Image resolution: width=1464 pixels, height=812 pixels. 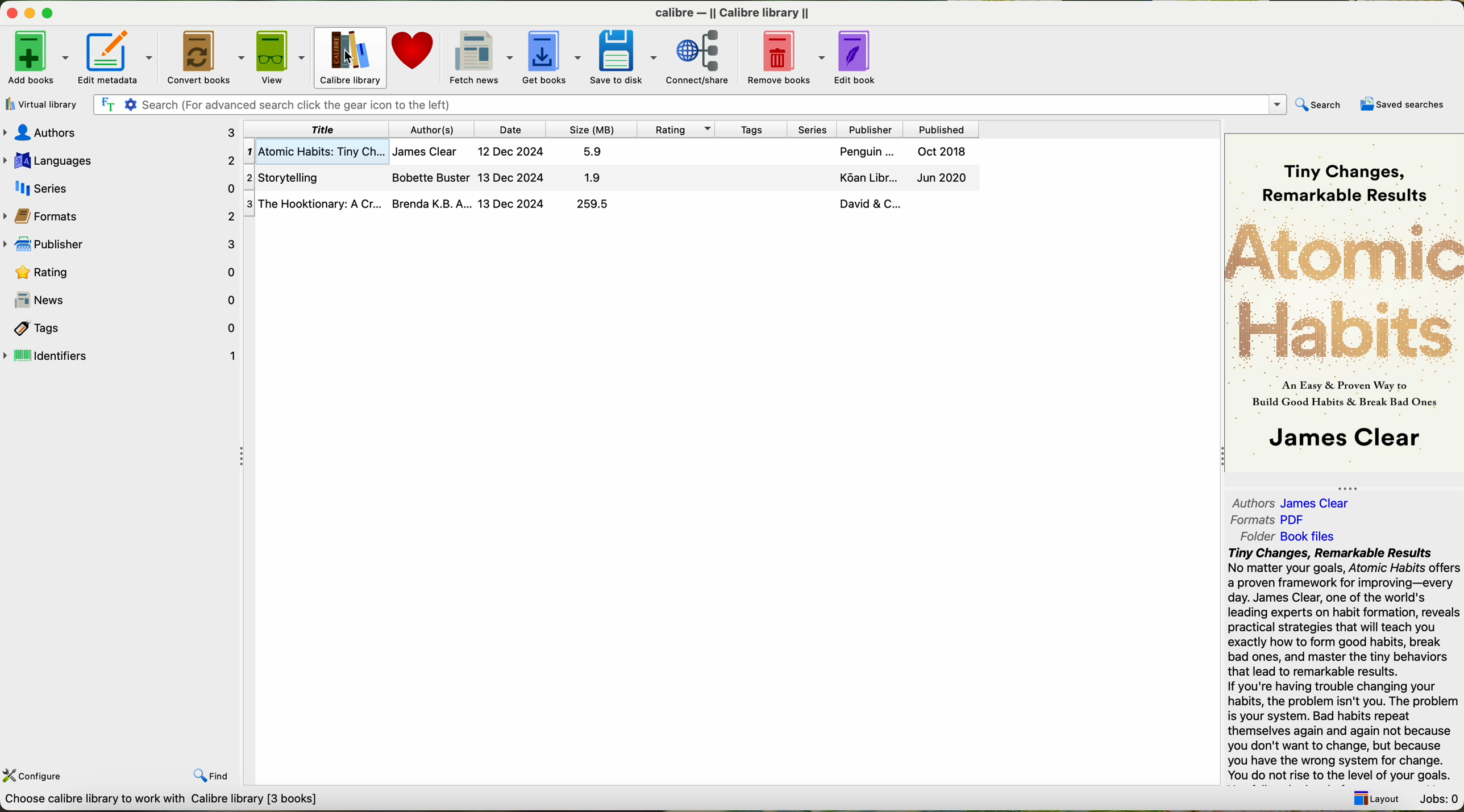 What do you see at coordinates (1338, 395) in the screenshot?
I see `As Easy & Proven Way toBuild Good Habits & Break Bad Ones` at bounding box center [1338, 395].